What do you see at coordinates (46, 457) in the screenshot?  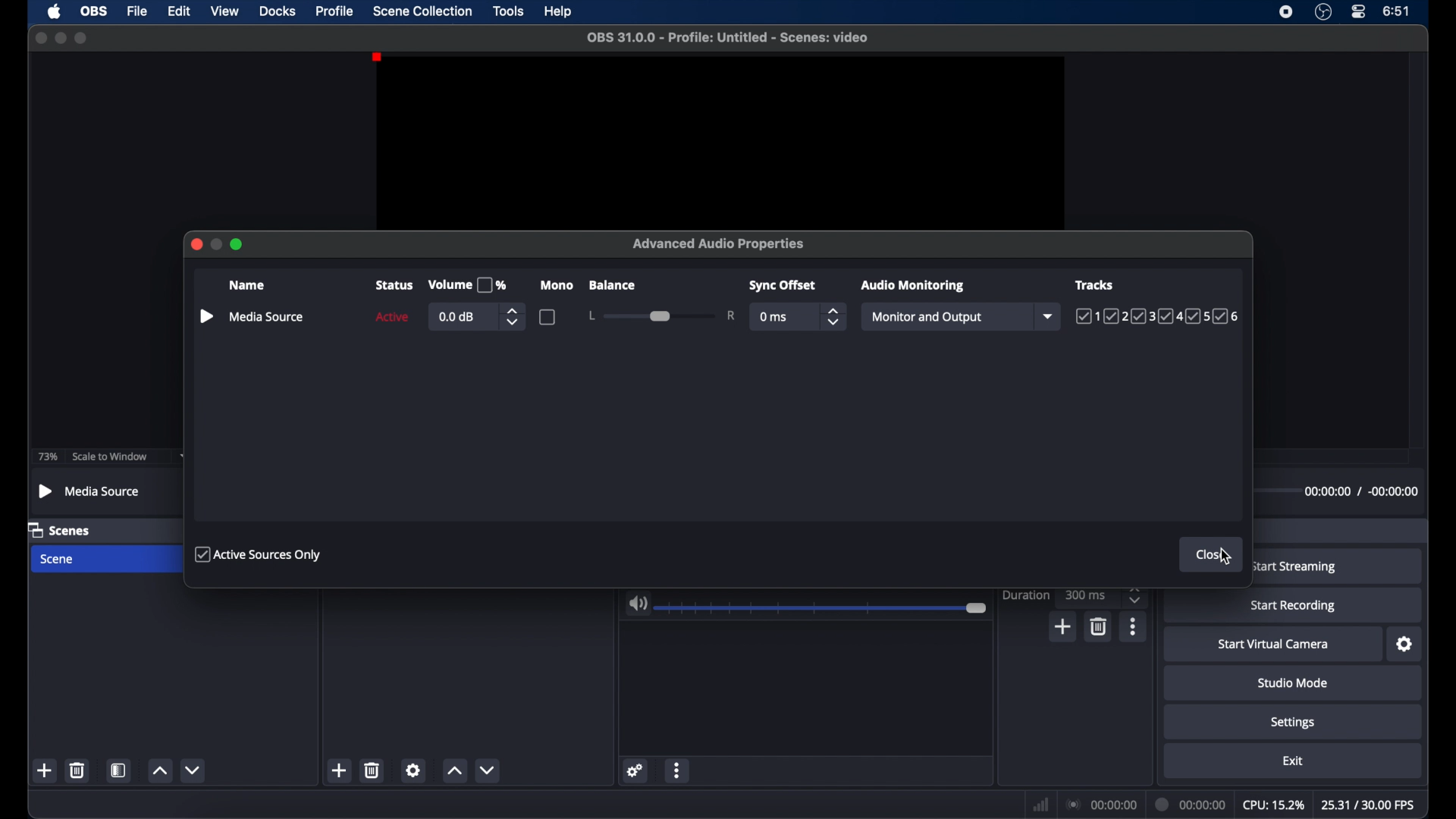 I see `73%` at bounding box center [46, 457].